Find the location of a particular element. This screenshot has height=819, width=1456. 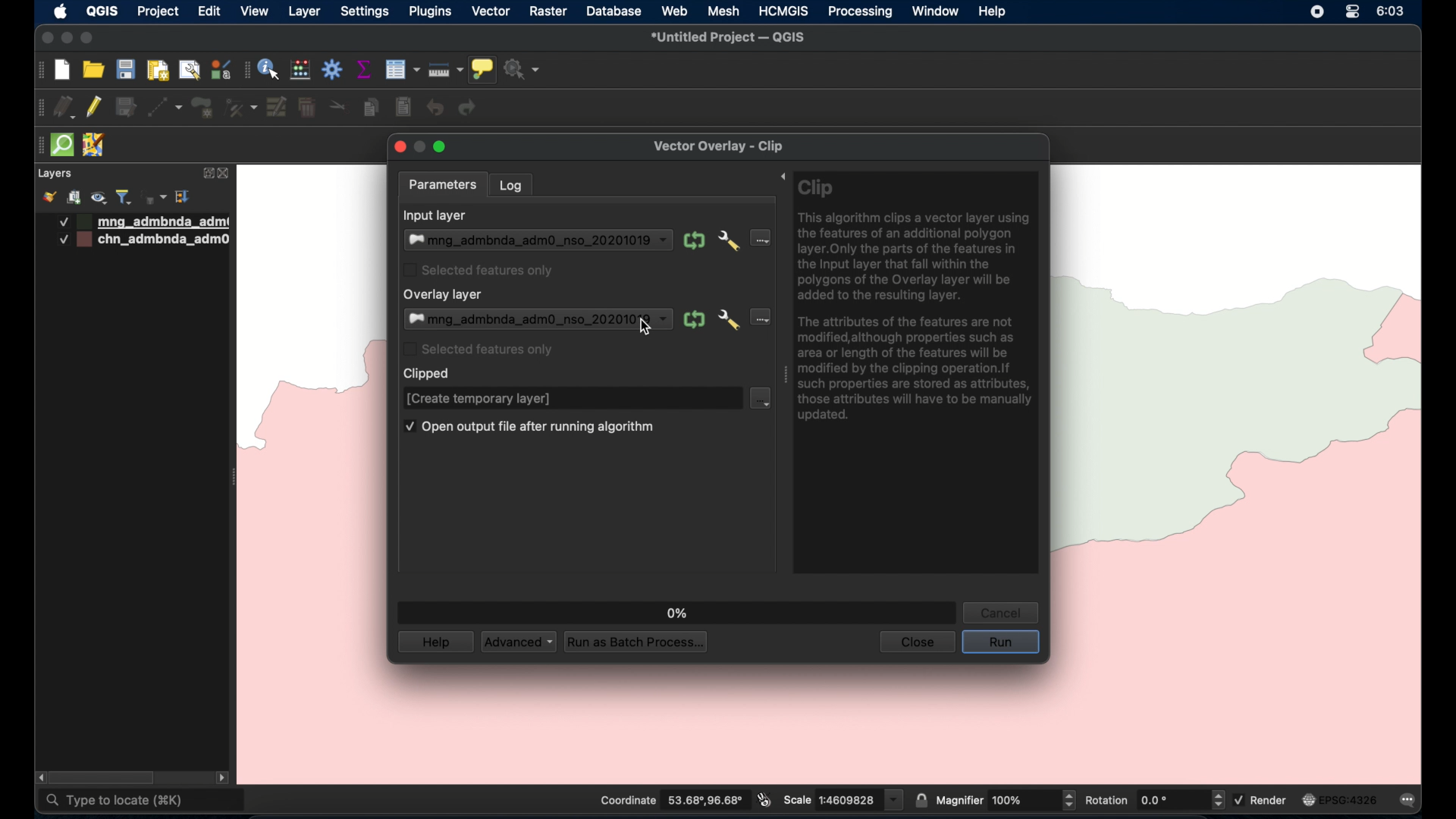

coordinate is located at coordinates (670, 800).